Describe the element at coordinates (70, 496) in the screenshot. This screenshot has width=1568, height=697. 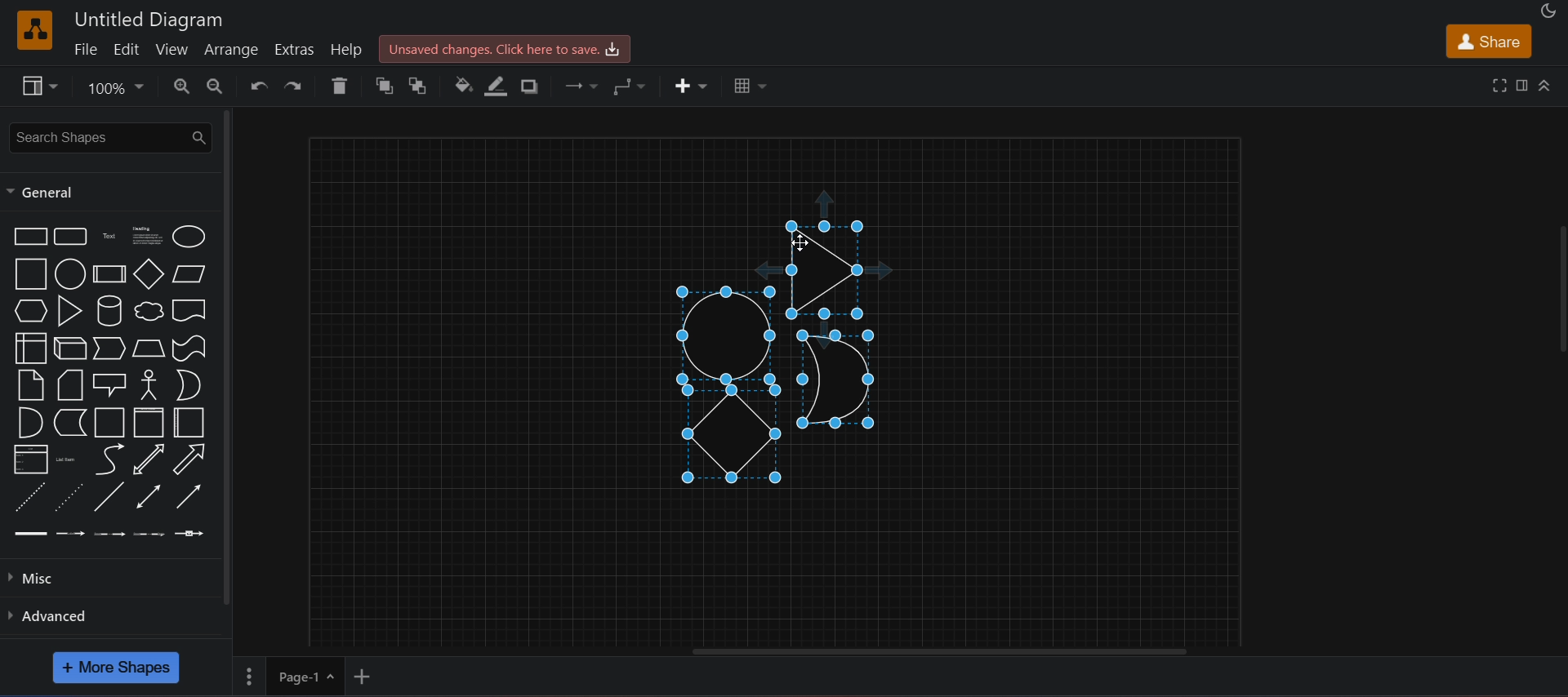
I see `dotted line` at that location.